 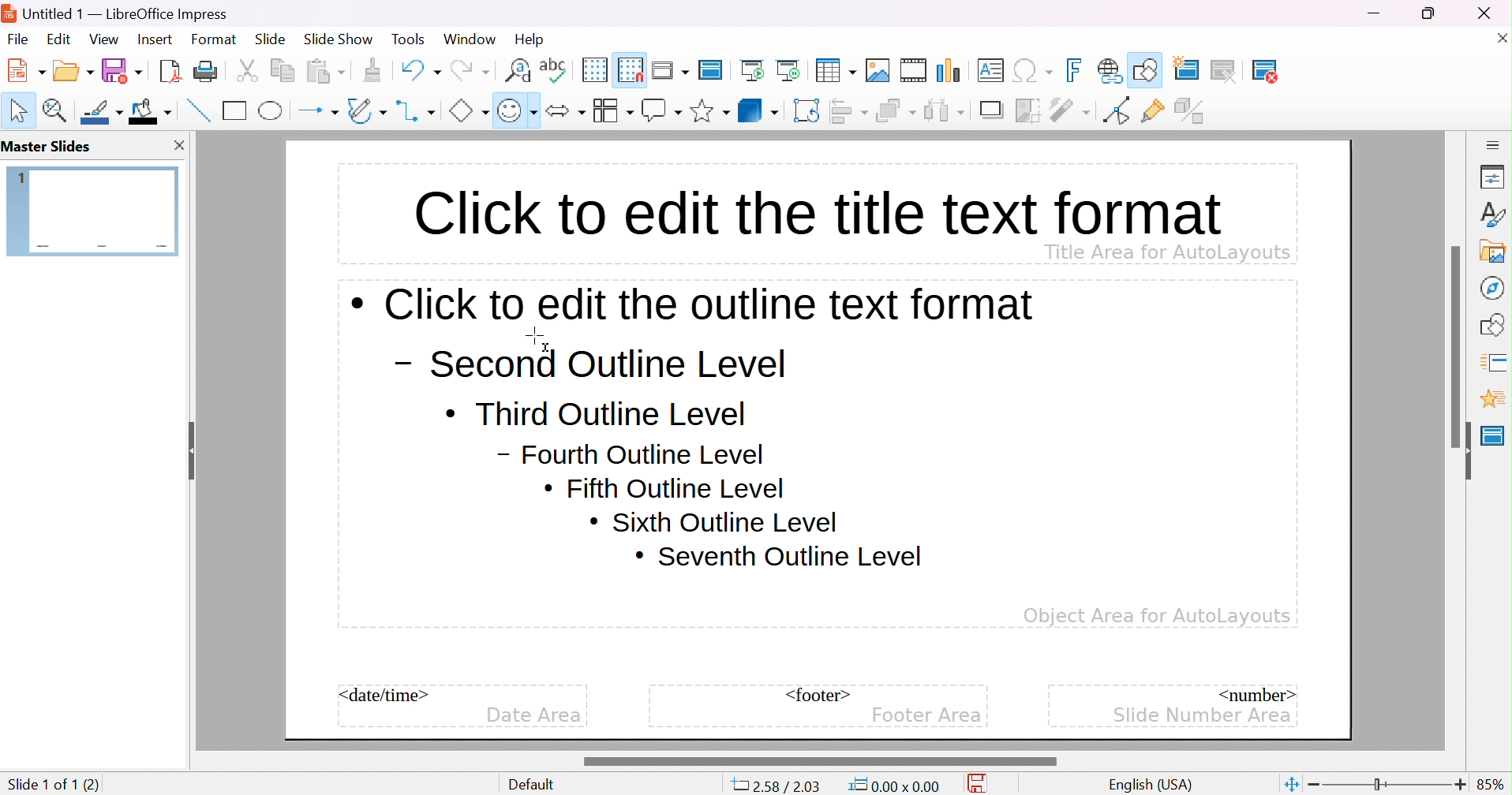 I want to click on line color, so click(x=103, y=112).